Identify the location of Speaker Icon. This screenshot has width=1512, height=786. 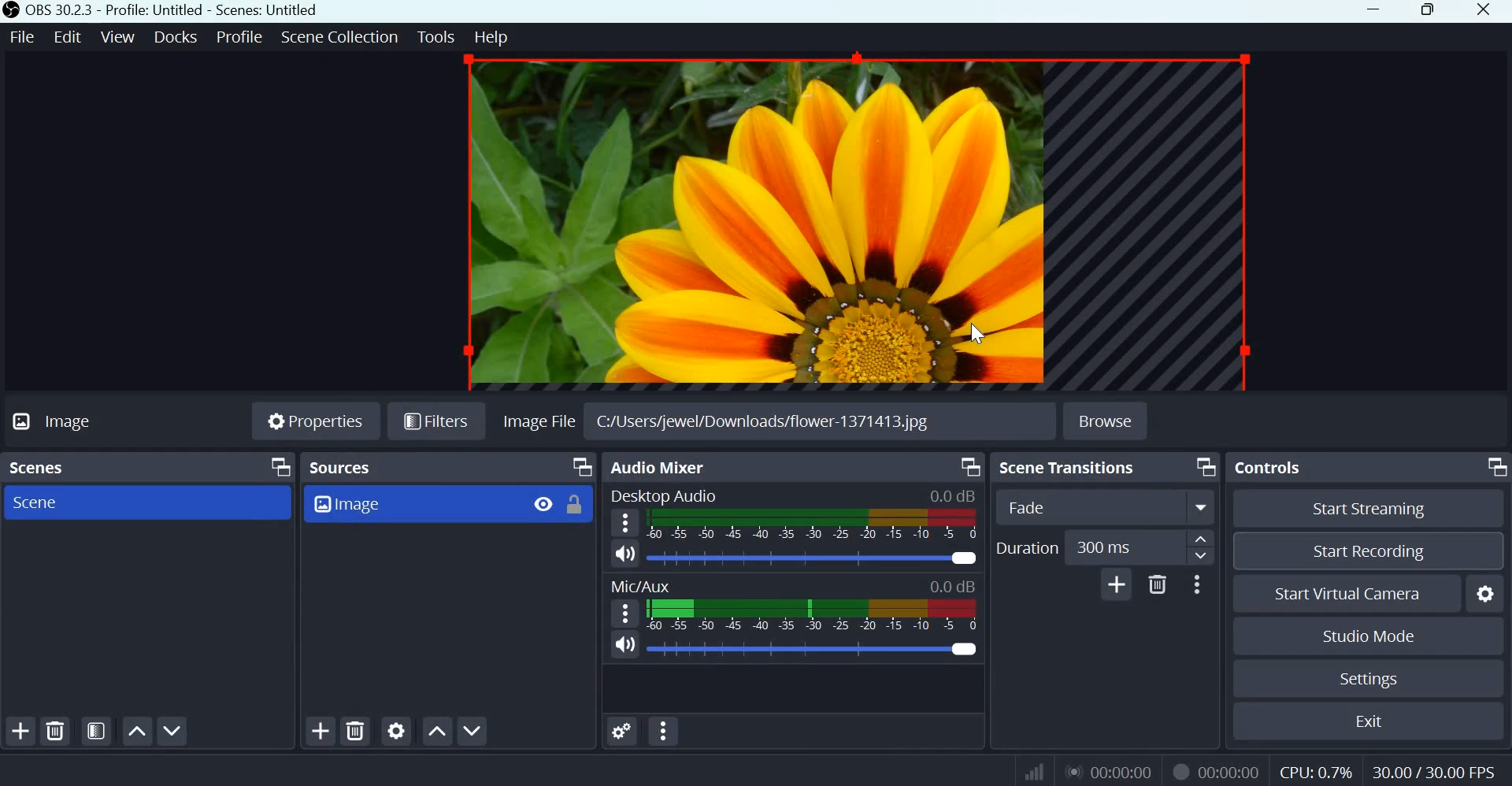
(624, 553).